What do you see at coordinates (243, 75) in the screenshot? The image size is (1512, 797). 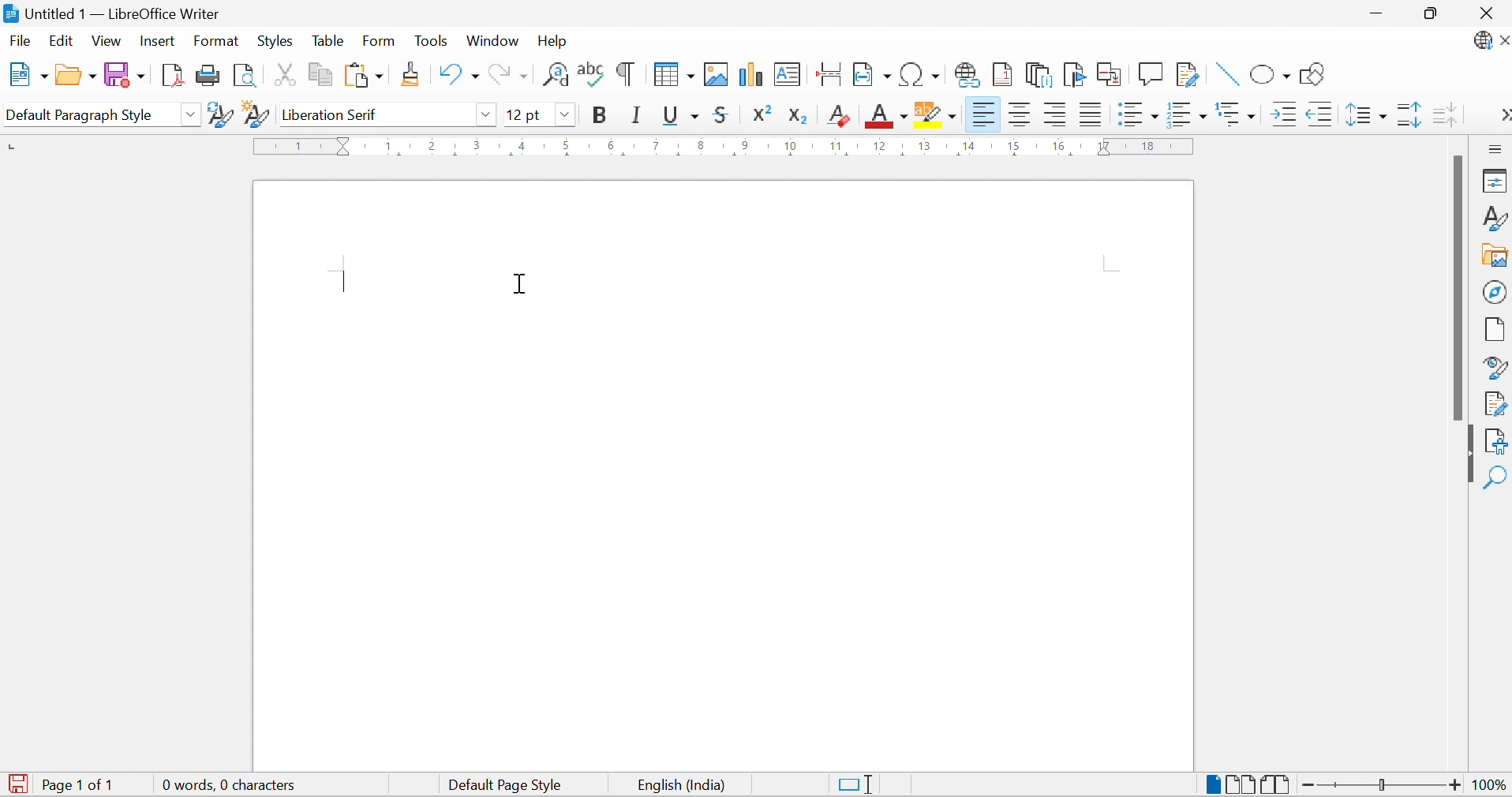 I see `Toggle Print Preview` at bounding box center [243, 75].